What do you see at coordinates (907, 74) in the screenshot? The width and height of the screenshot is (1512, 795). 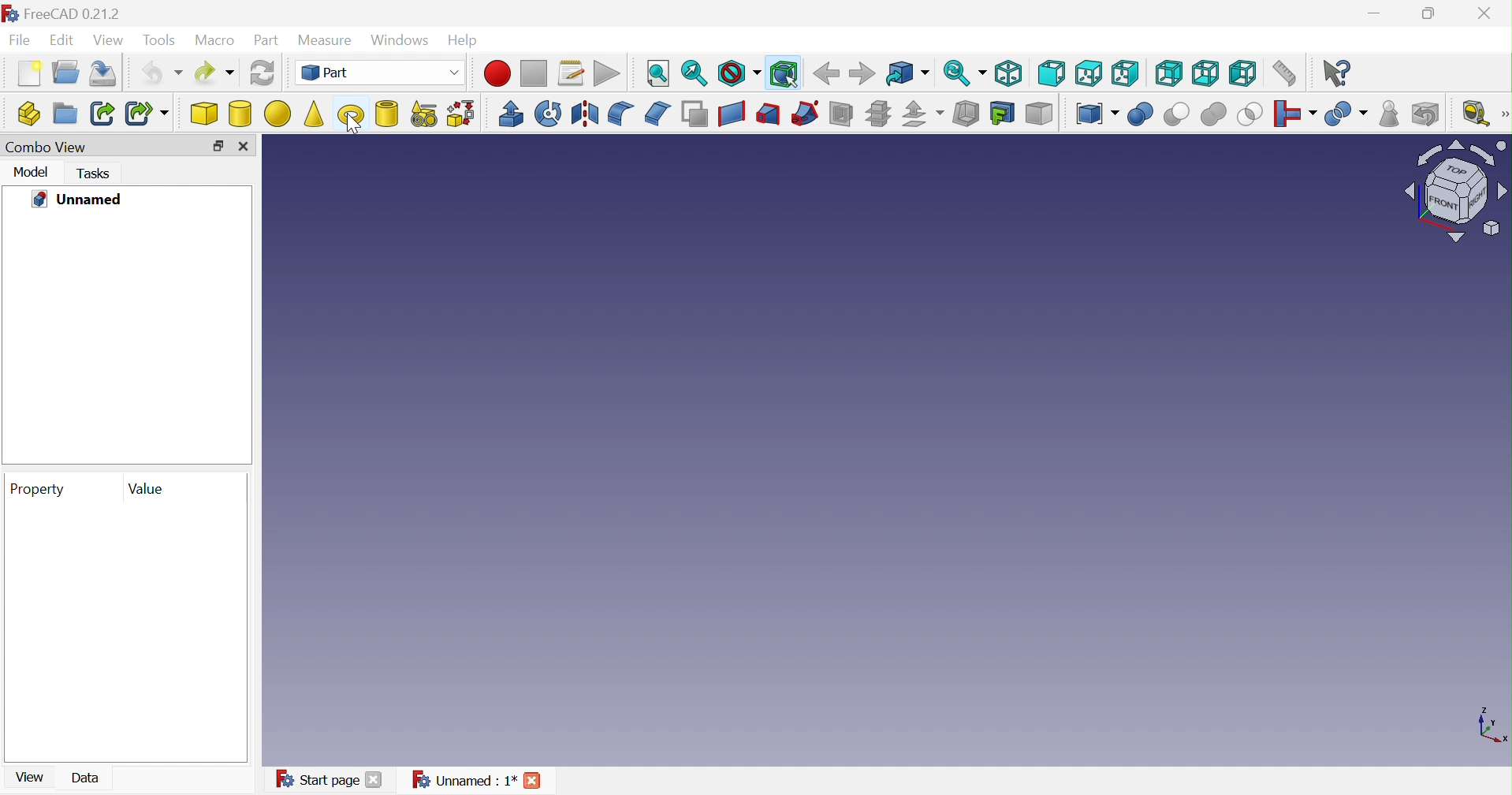 I see `Got linked object` at bounding box center [907, 74].